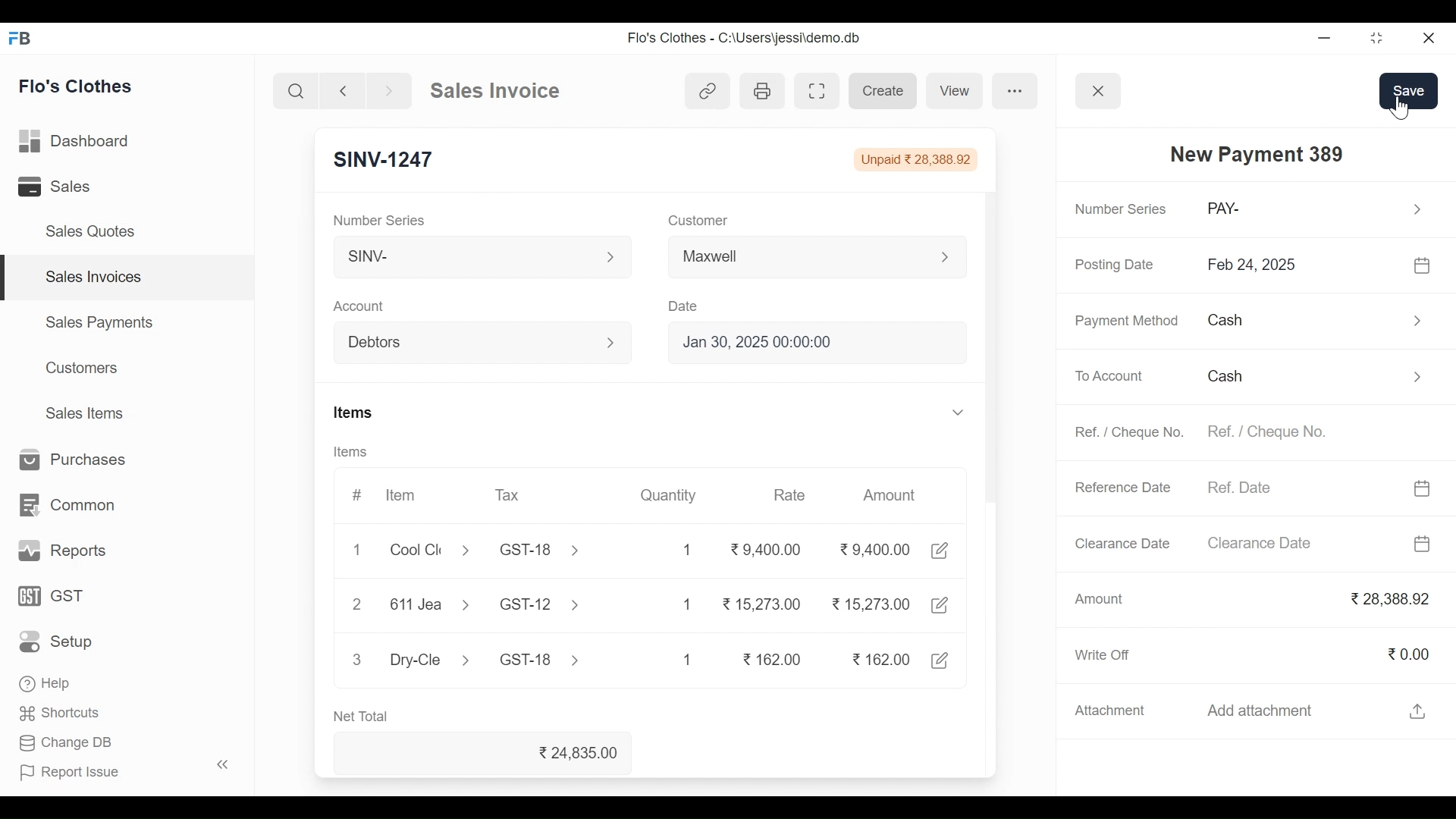  What do you see at coordinates (815, 91) in the screenshot?
I see `Toggle between form and full width` at bounding box center [815, 91].